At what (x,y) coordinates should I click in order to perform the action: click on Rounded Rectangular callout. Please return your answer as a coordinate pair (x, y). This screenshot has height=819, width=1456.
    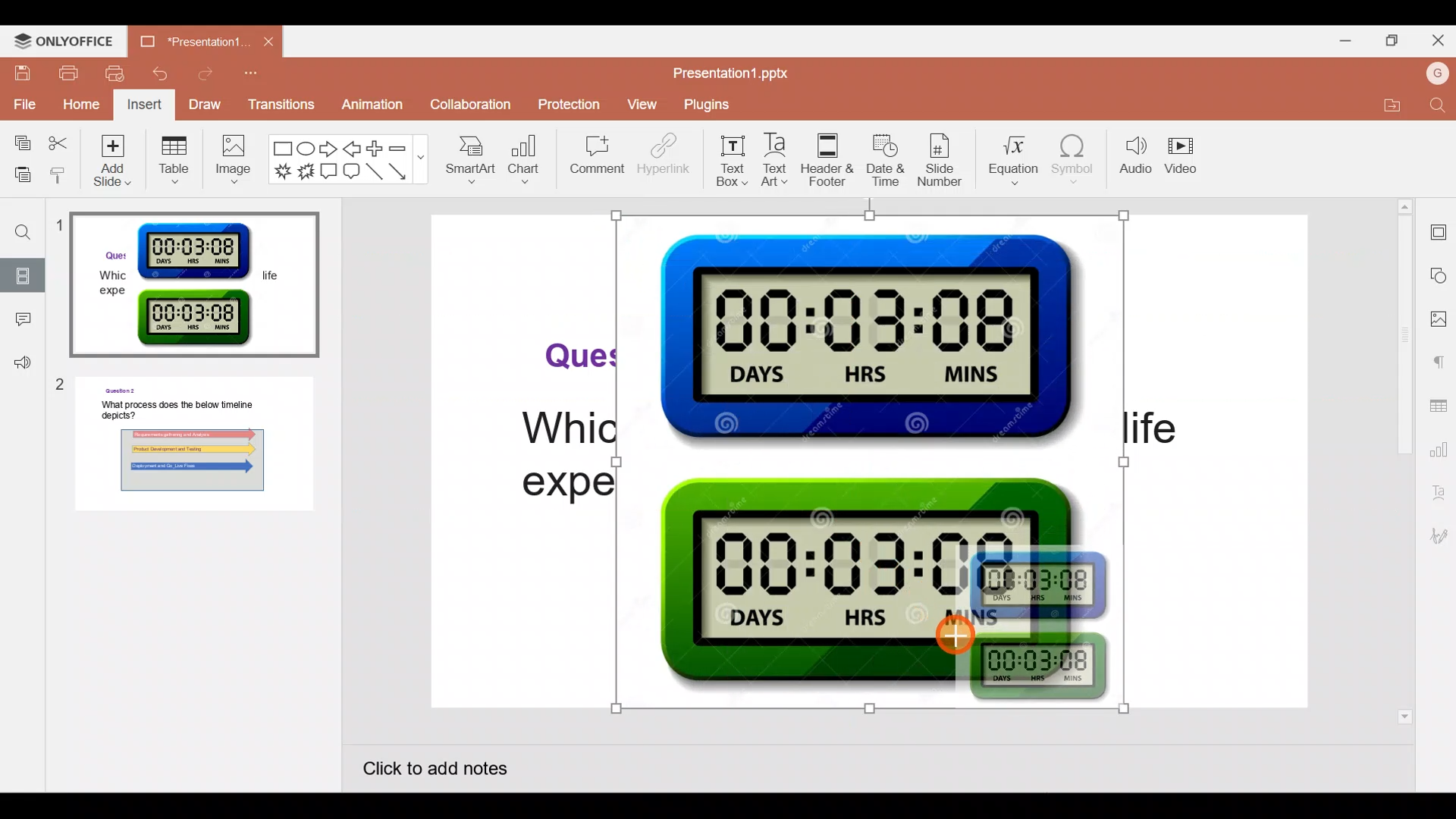
    Looking at the image, I should click on (355, 173).